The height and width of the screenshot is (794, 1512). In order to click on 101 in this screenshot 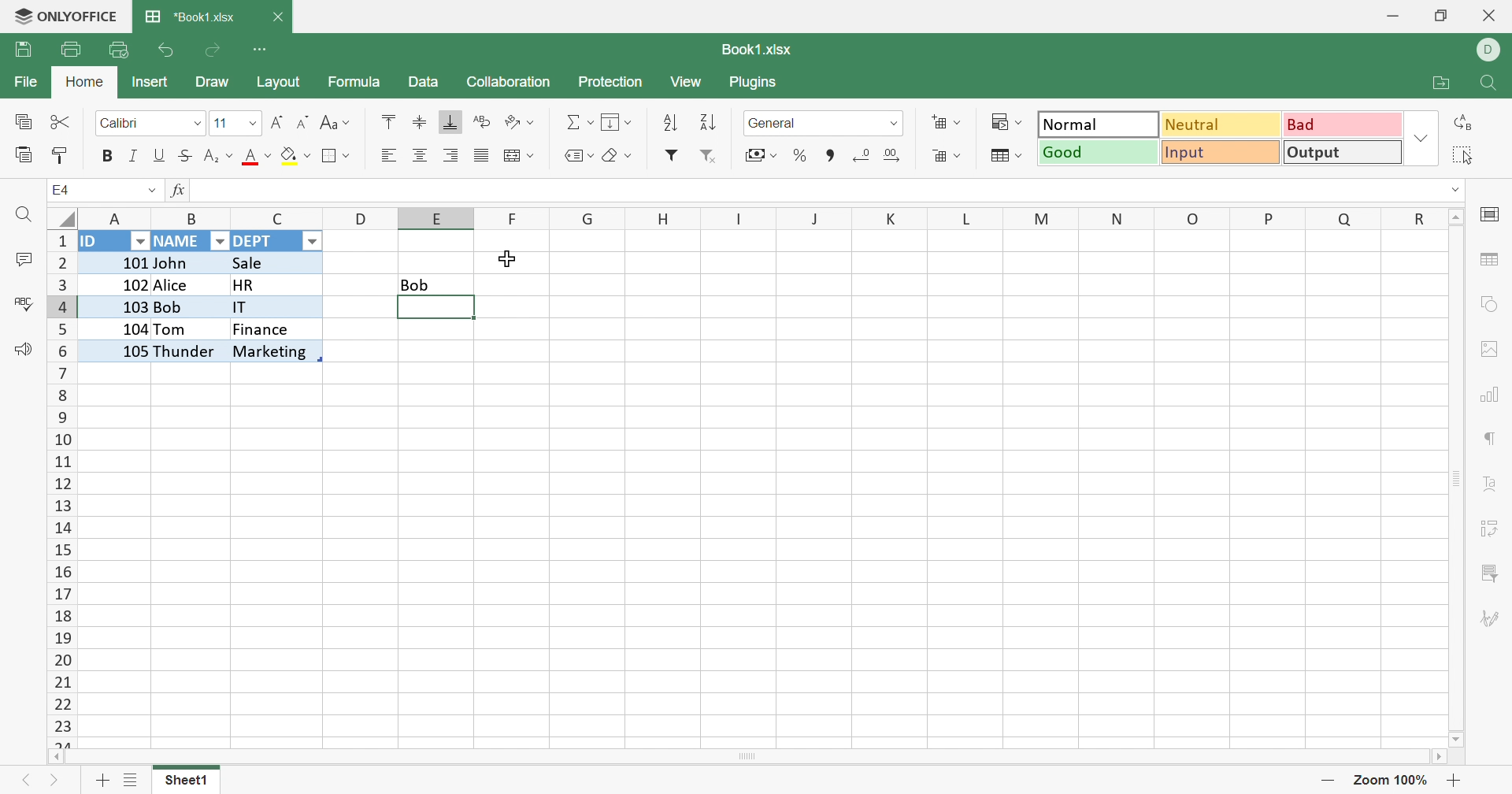, I will do `click(117, 260)`.